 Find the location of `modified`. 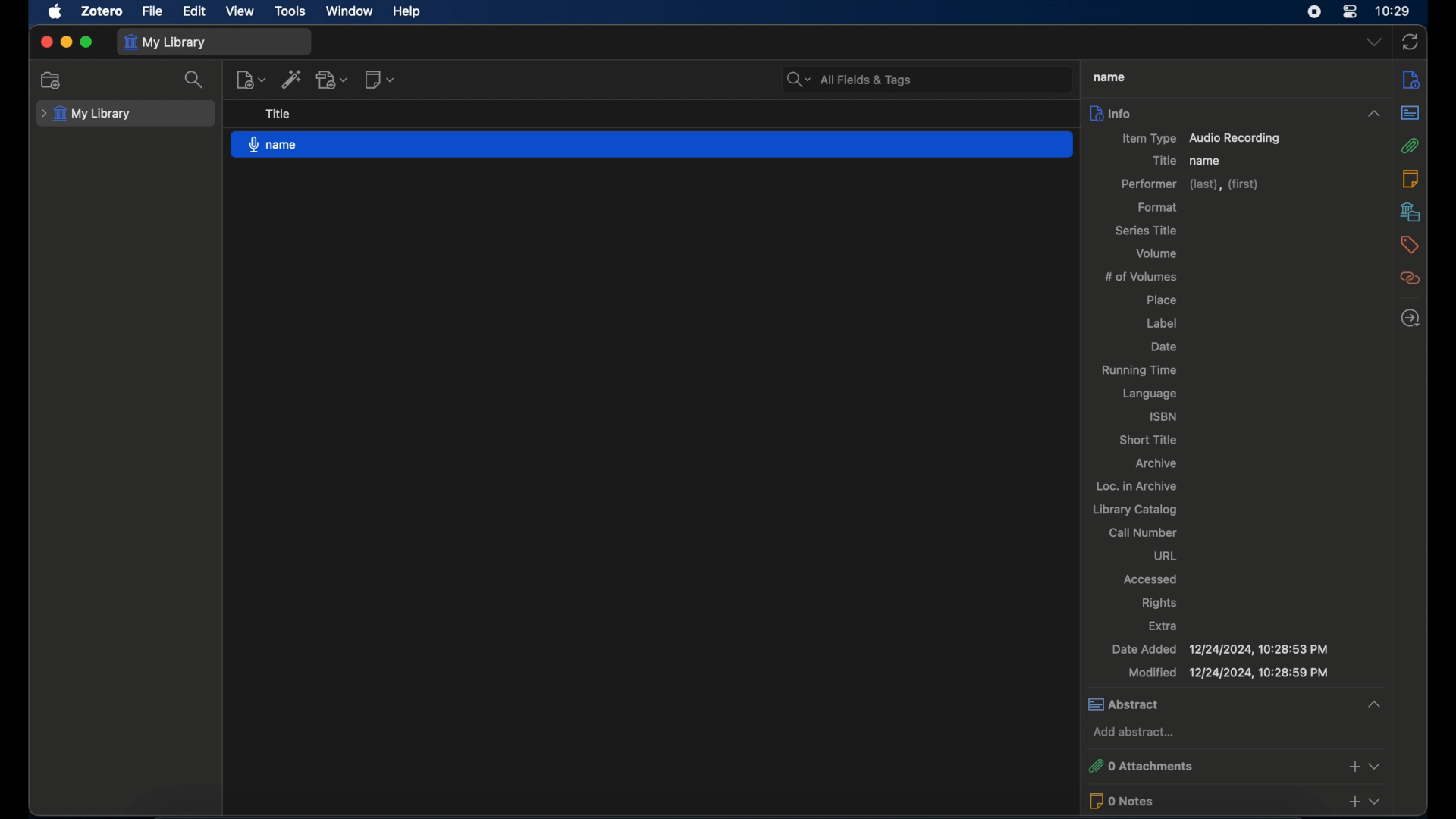

modified is located at coordinates (1230, 673).